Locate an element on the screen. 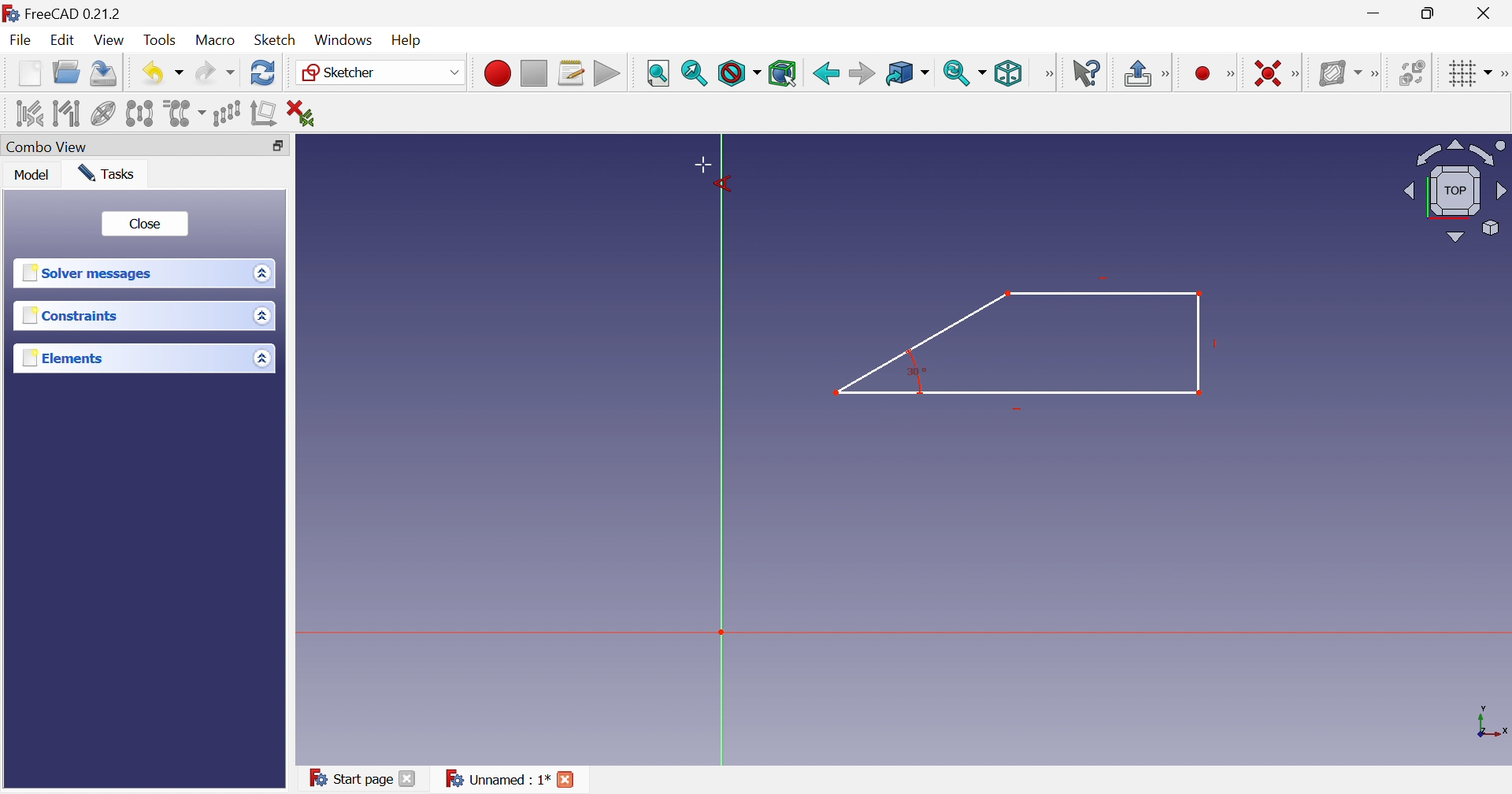 The width and height of the screenshot is (1512, 794). Show/Hide internal geometry is located at coordinates (102, 113).